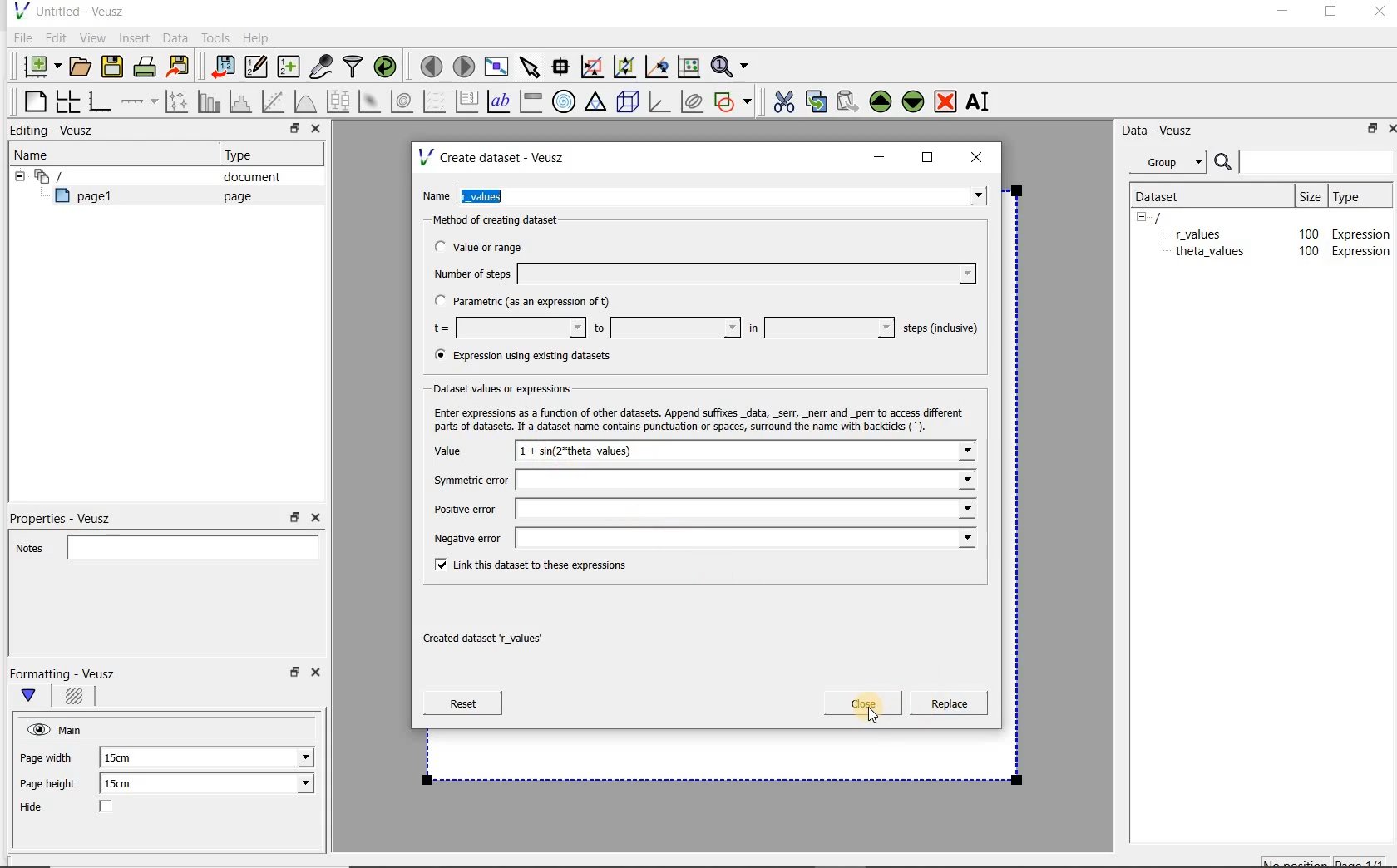  I want to click on Fit a function to data, so click(275, 101).